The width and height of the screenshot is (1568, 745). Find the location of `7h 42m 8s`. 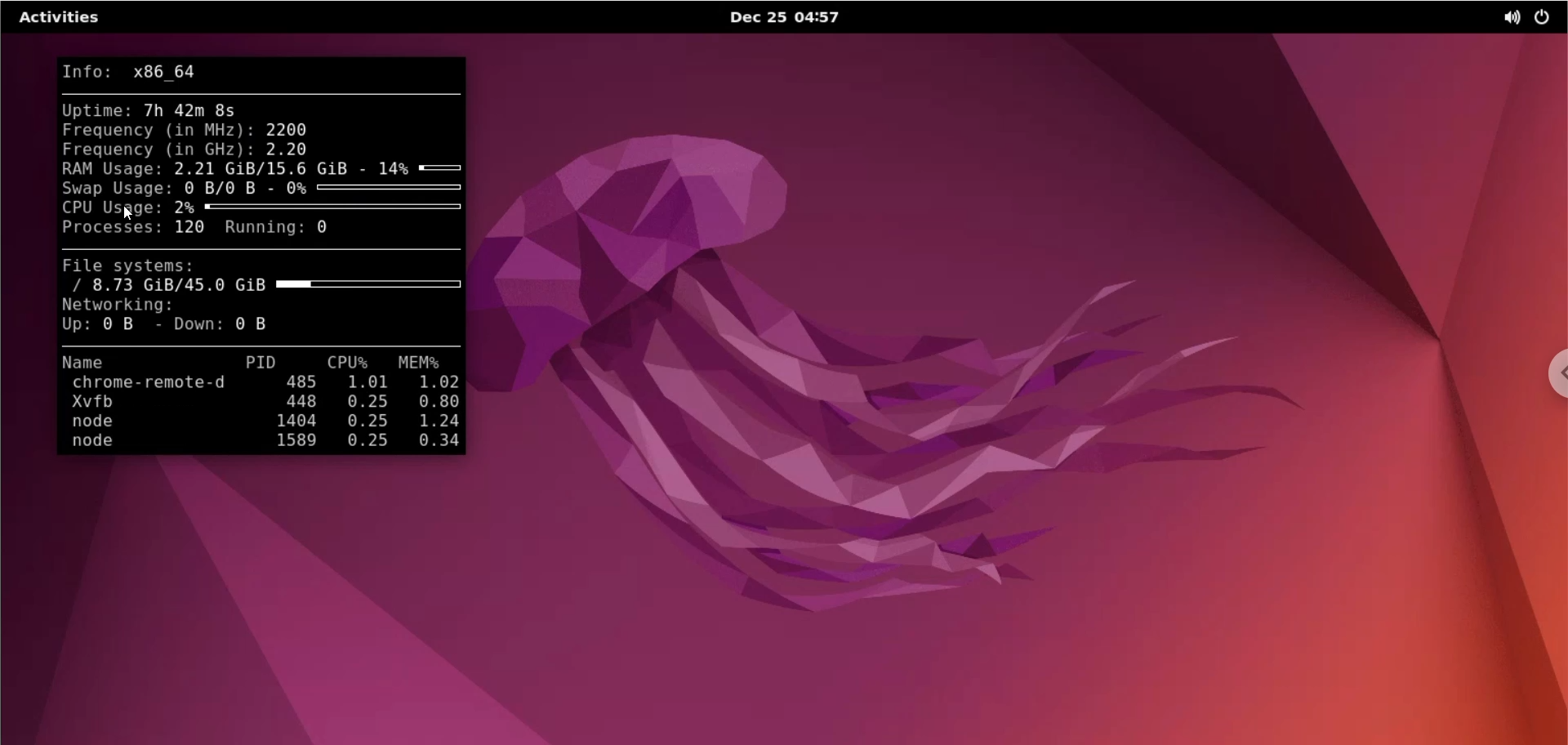

7h 42m 8s is located at coordinates (185, 111).